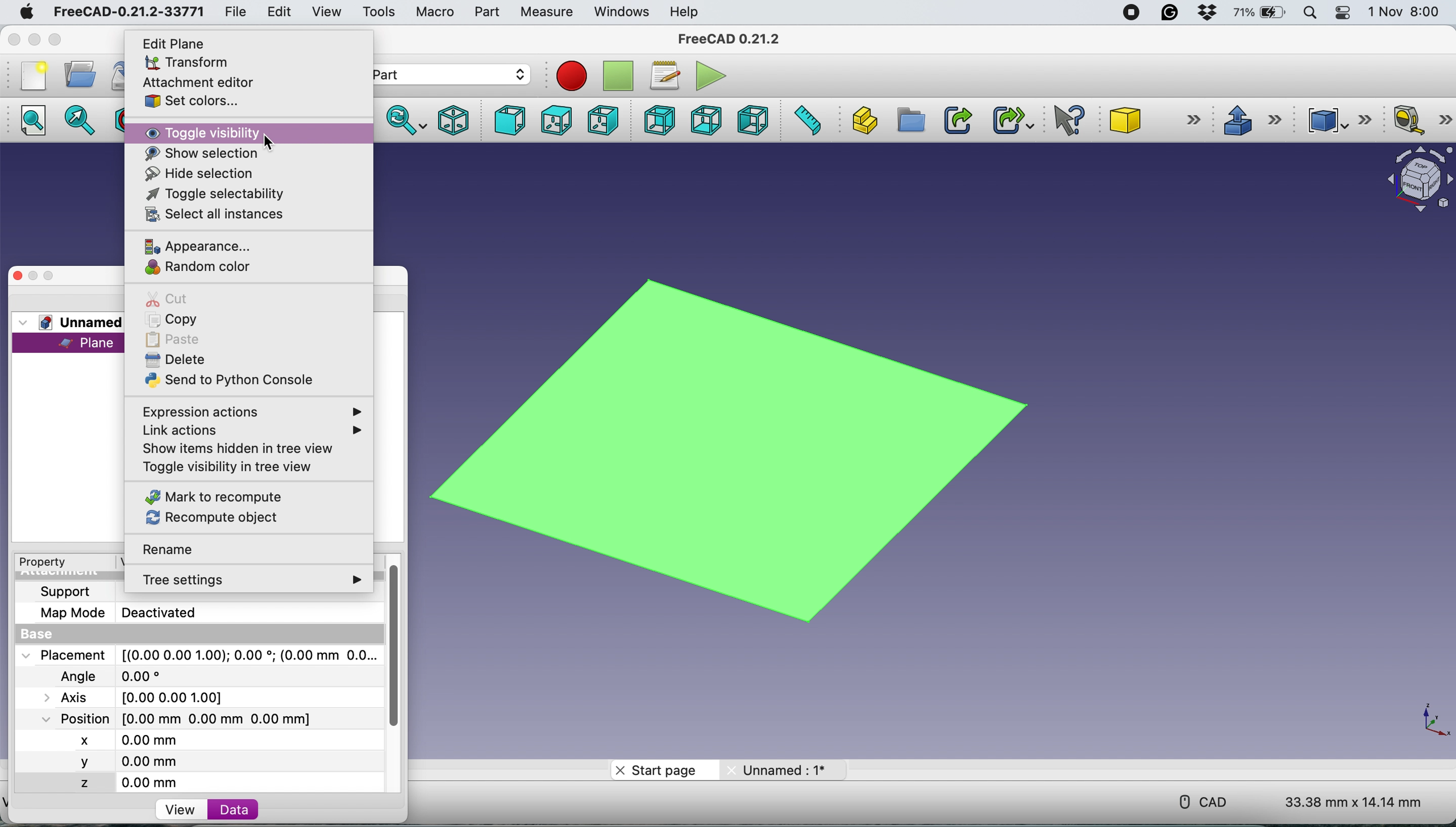 This screenshot has height=827, width=1456. What do you see at coordinates (60, 574) in the screenshot?
I see `Attachment` at bounding box center [60, 574].